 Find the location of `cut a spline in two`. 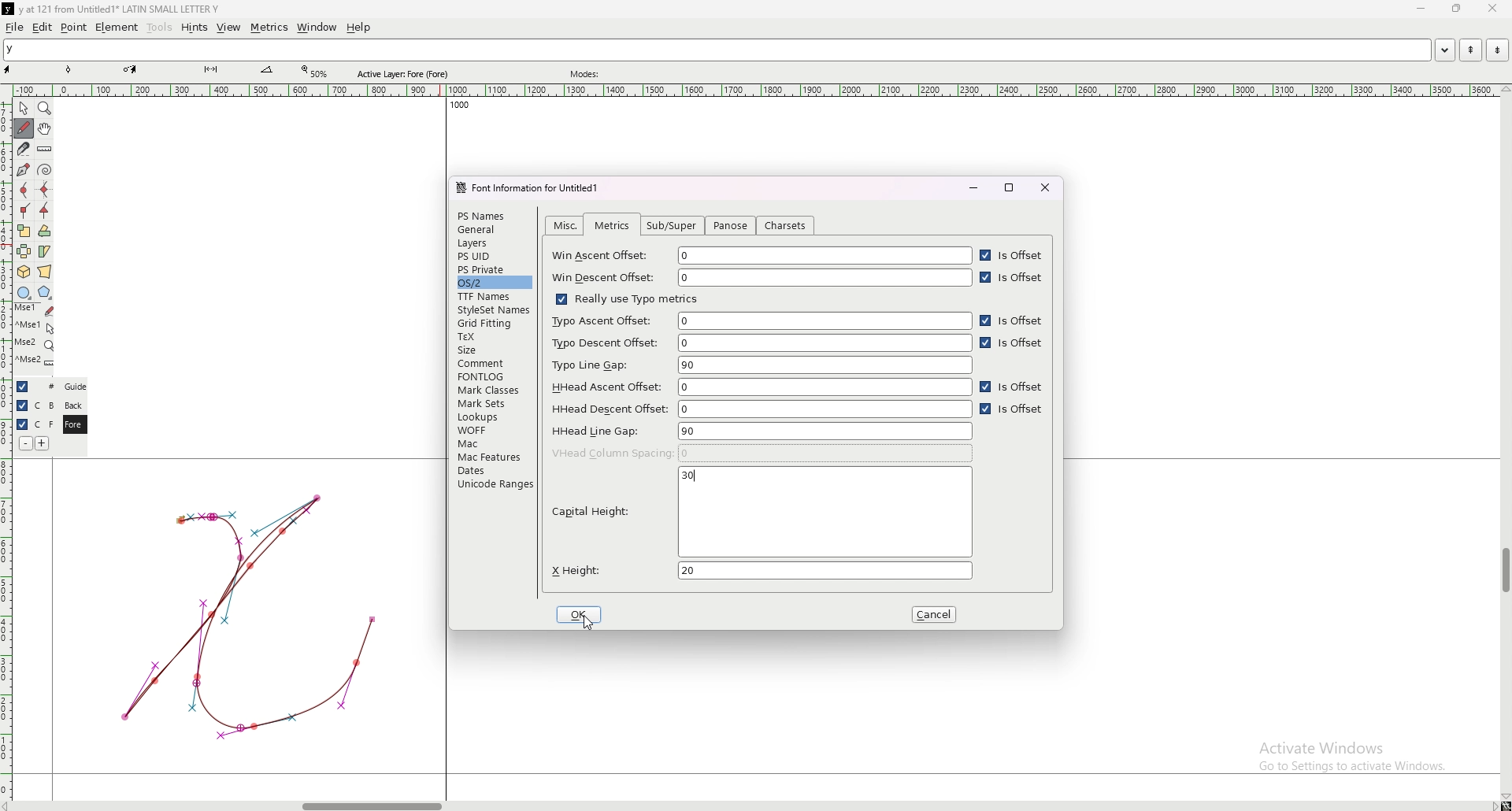

cut a spline in two is located at coordinates (22, 149).